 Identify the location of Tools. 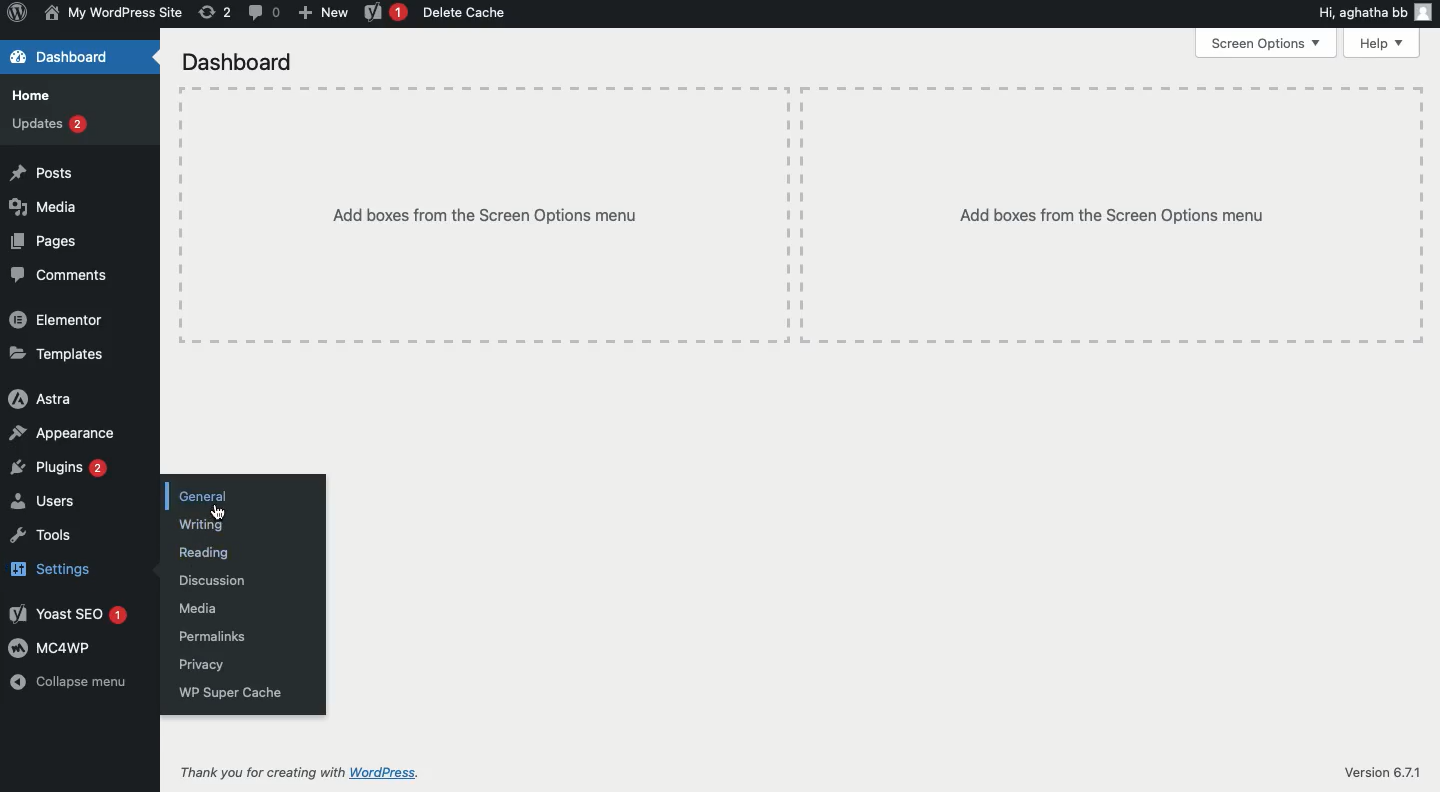
(39, 536).